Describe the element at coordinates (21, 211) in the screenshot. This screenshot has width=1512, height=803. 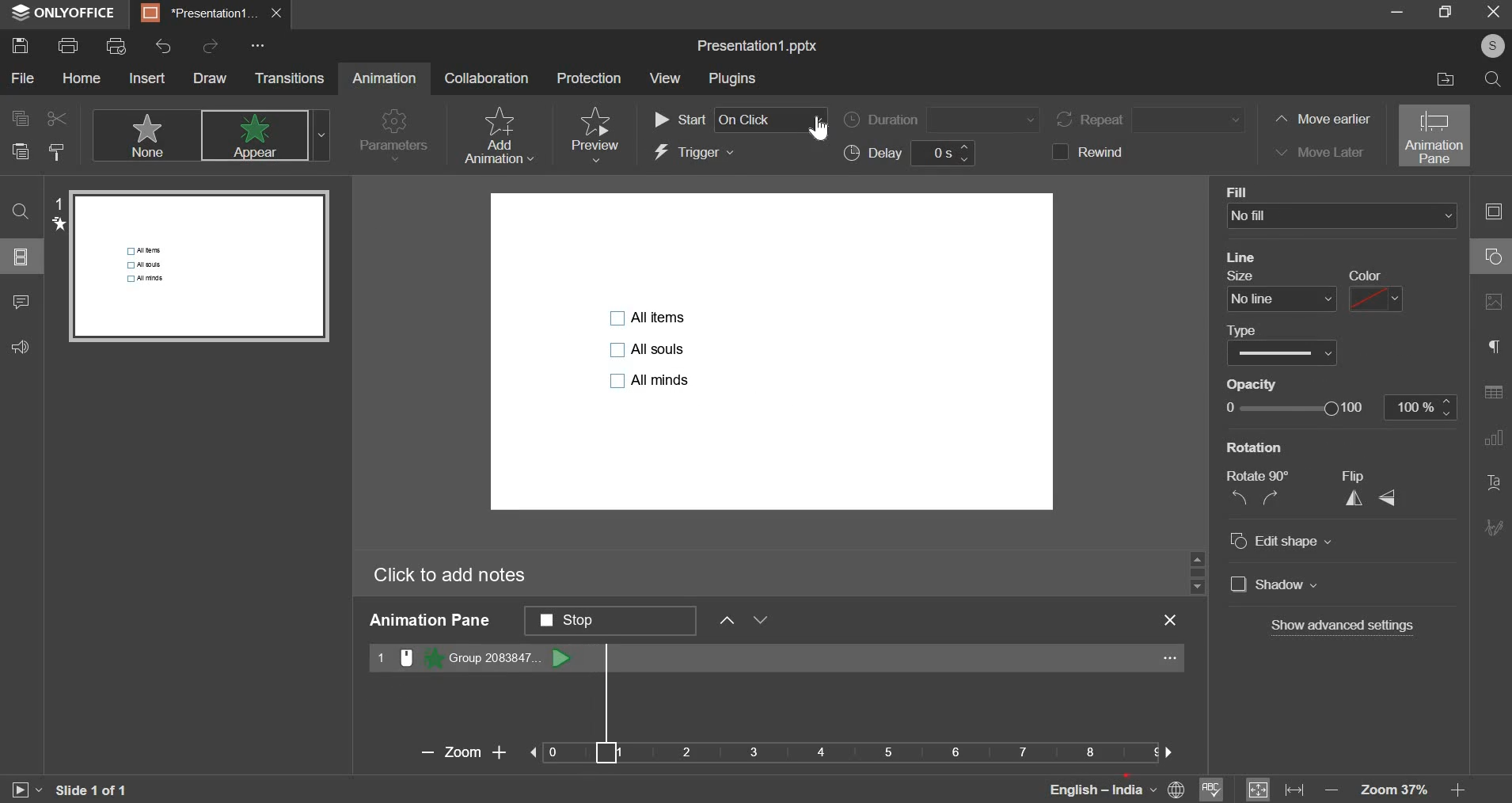
I see `find` at that location.